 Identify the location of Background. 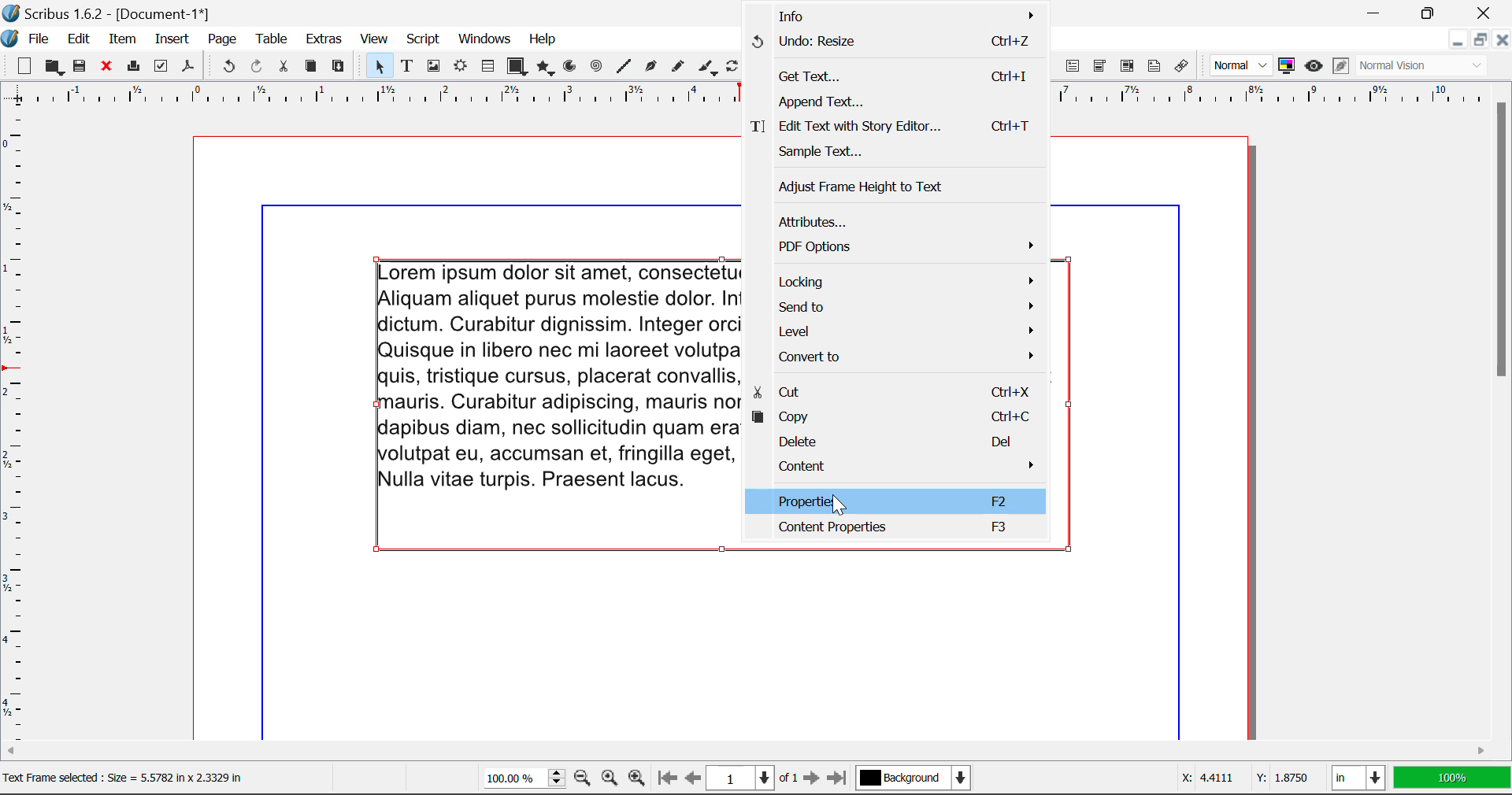
(917, 780).